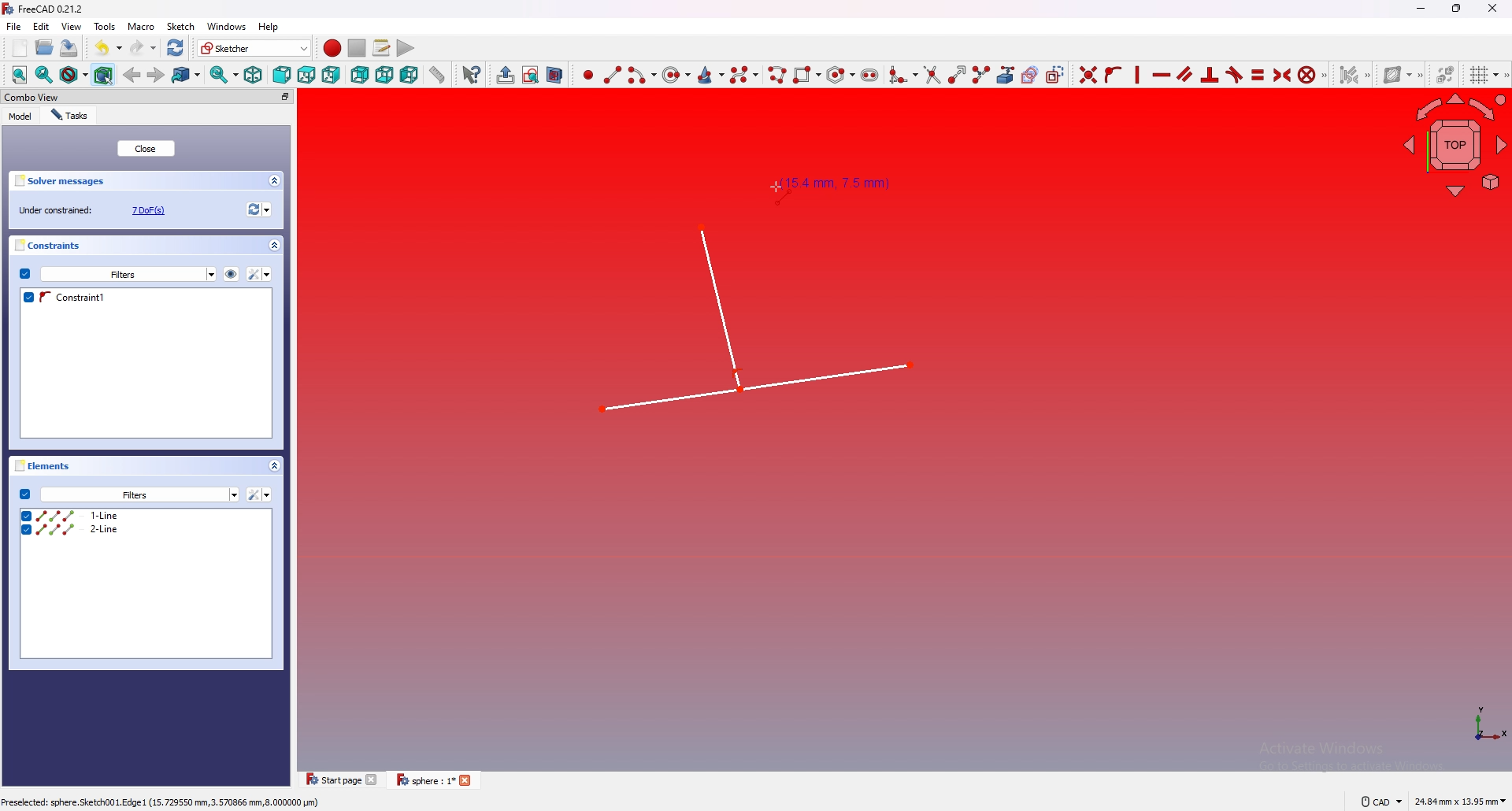 The height and width of the screenshot is (811, 1512). I want to click on Constrain perpendicular, so click(1208, 75).